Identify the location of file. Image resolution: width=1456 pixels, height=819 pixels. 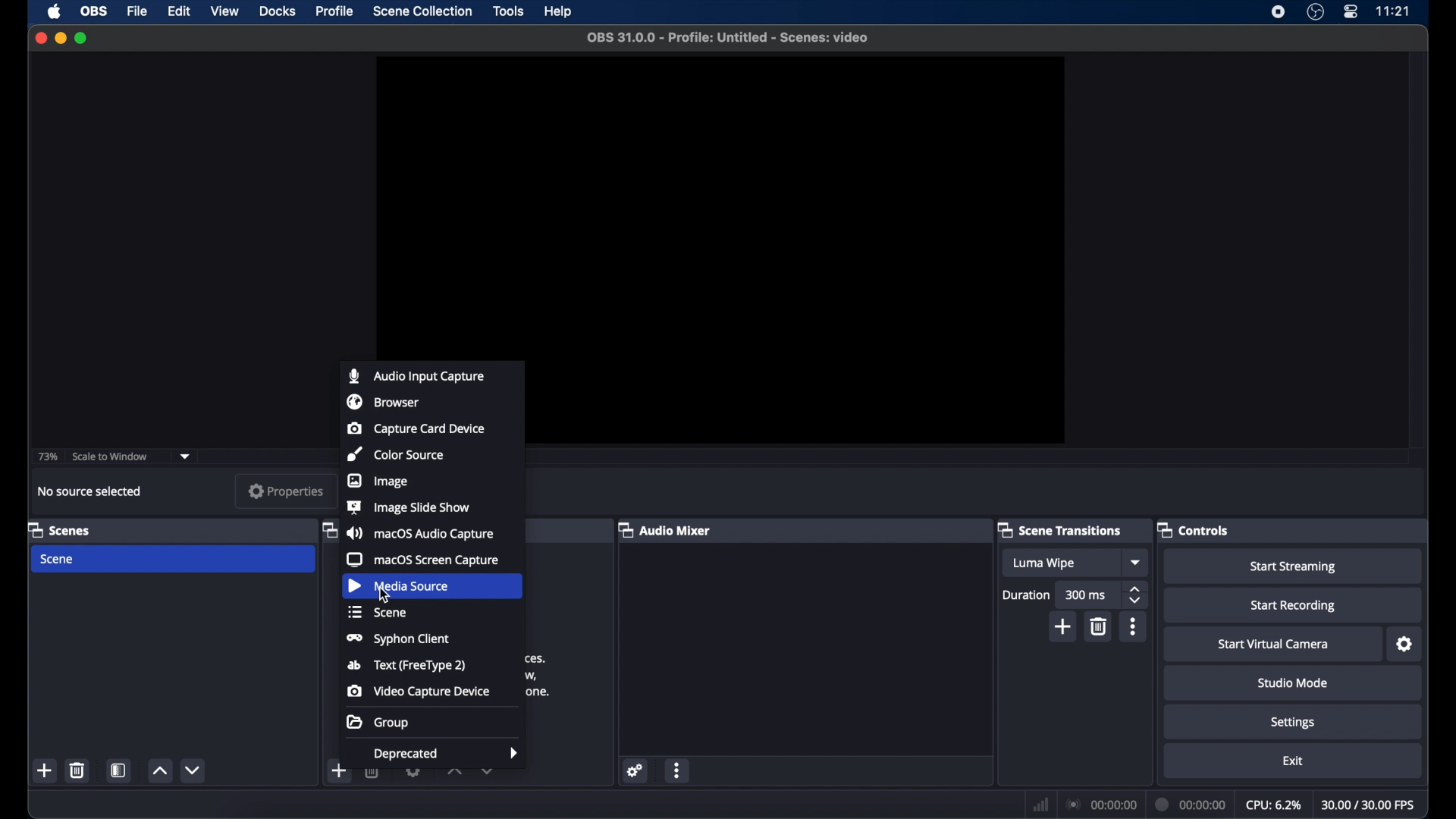
(136, 12).